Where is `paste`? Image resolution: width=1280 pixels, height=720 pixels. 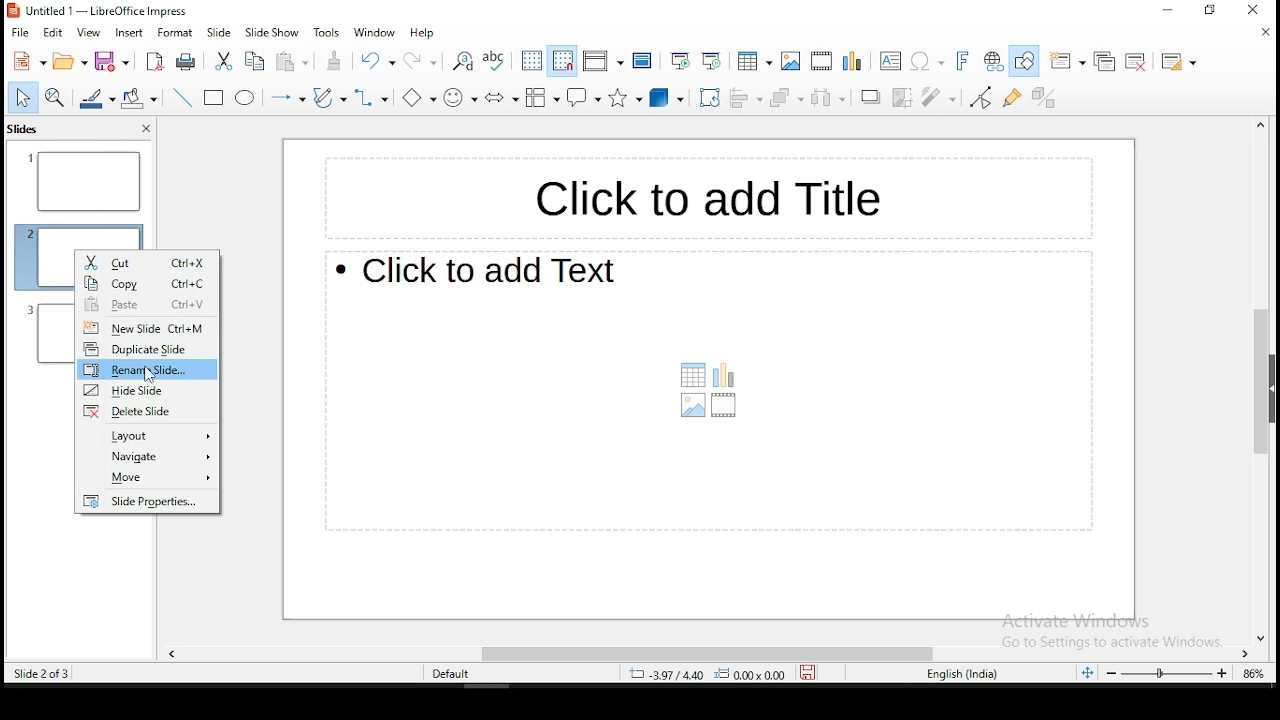 paste is located at coordinates (149, 304).